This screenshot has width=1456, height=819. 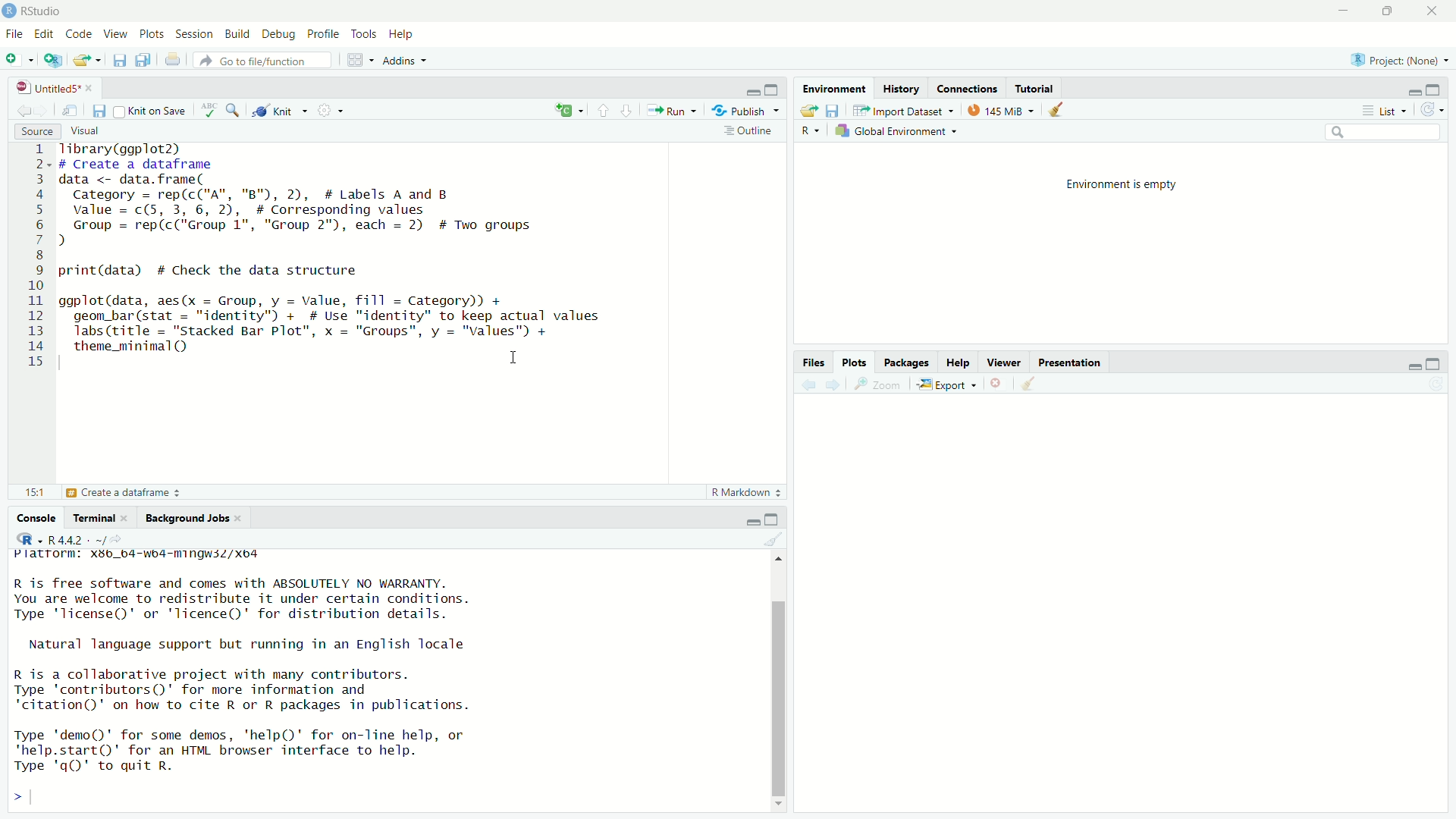 What do you see at coordinates (122, 494) in the screenshot?
I see `Create a dataframe` at bounding box center [122, 494].